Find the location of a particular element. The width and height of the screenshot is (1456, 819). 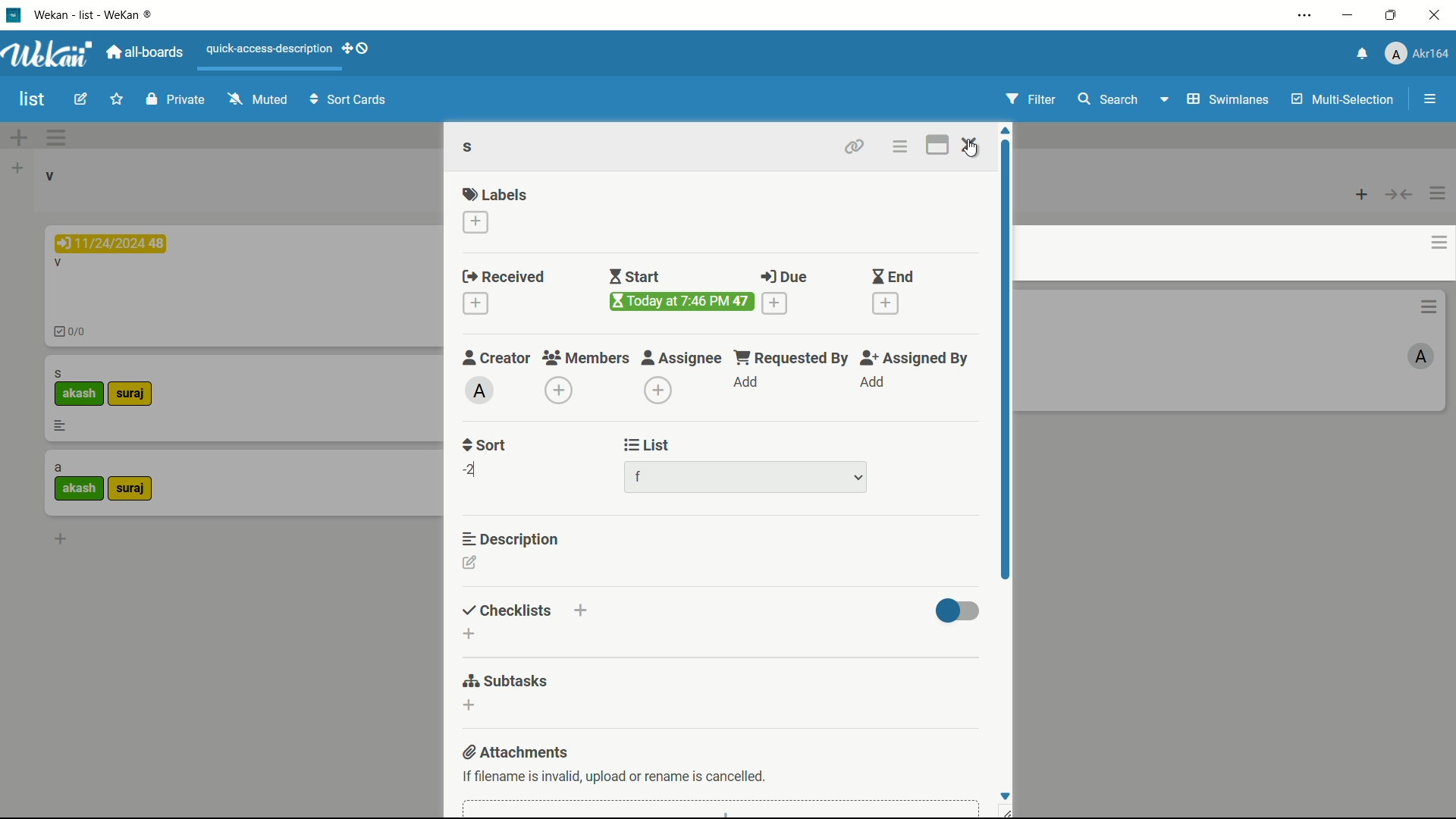

private is located at coordinates (178, 99).